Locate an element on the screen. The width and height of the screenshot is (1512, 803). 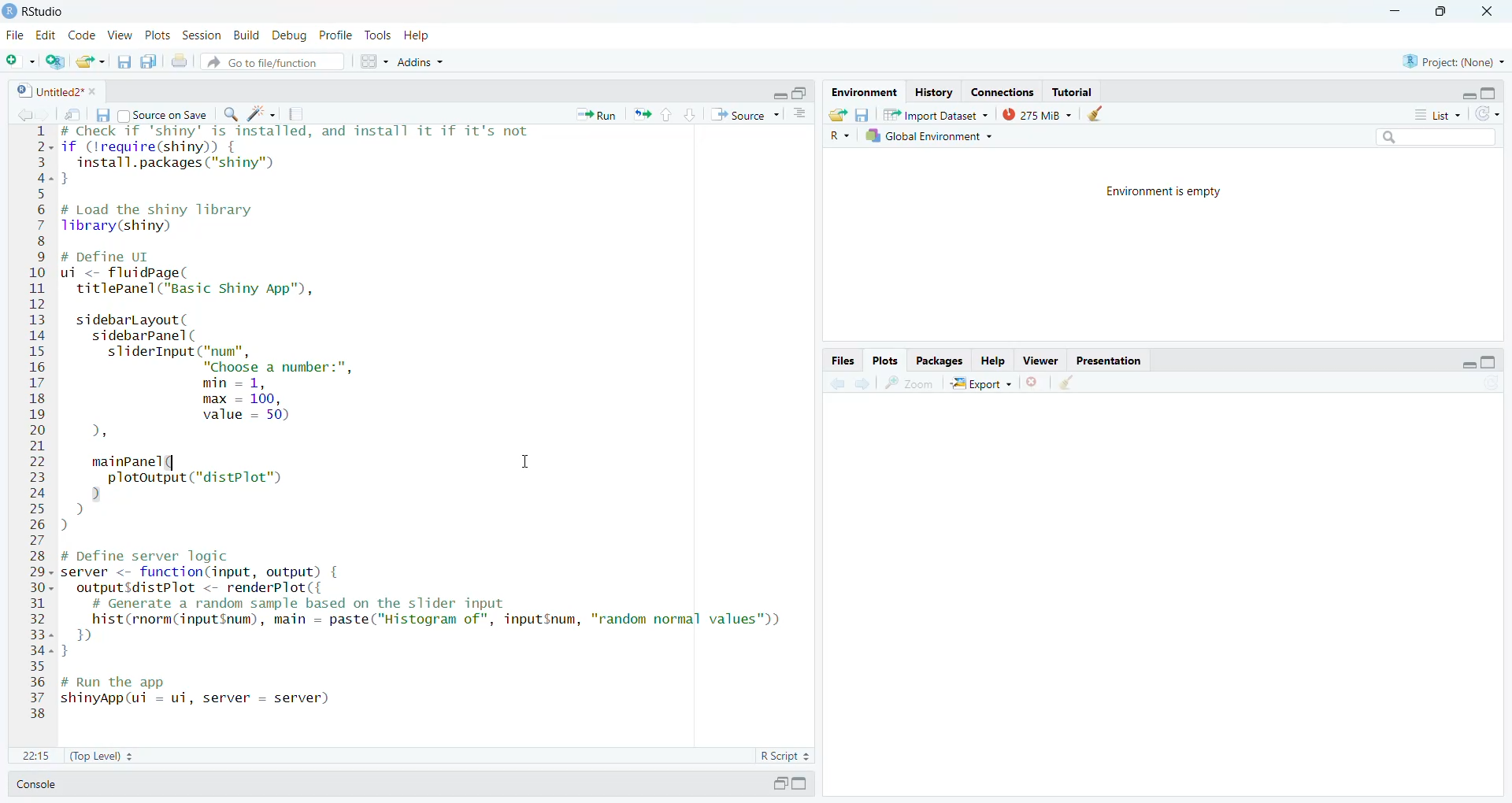
back is located at coordinates (839, 382).